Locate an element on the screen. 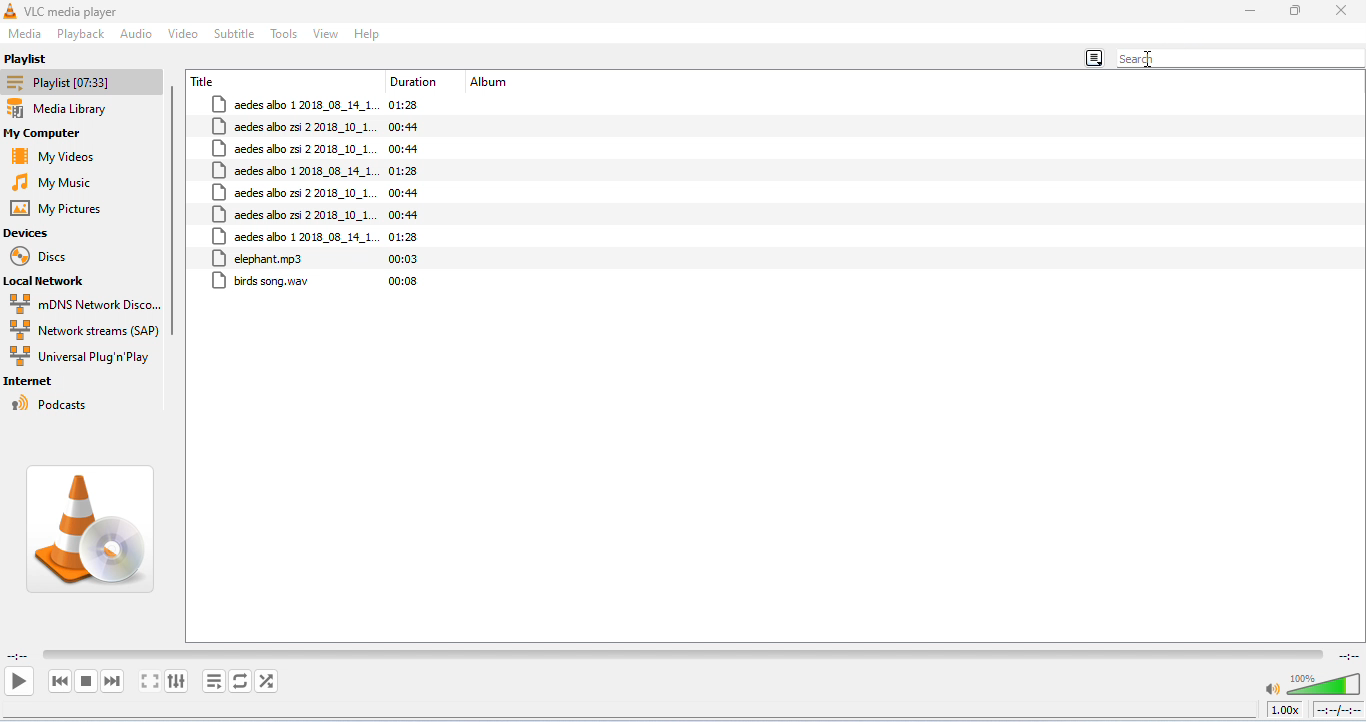 Image resolution: width=1366 pixels, height=722 pixels. 00:44 is located at coordinates (405, 192).